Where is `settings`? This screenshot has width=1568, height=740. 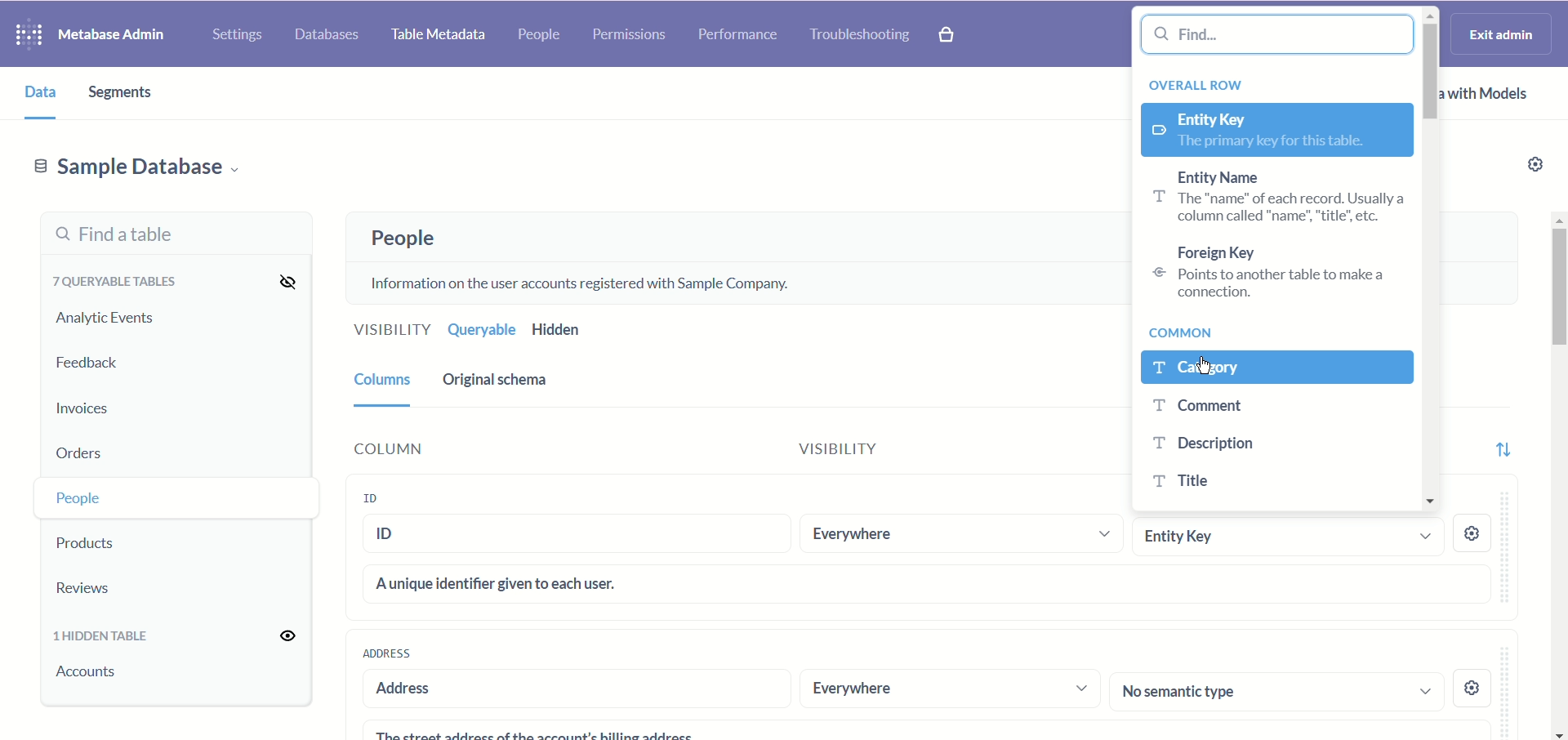 settings is located at coordinates (1474, 684).